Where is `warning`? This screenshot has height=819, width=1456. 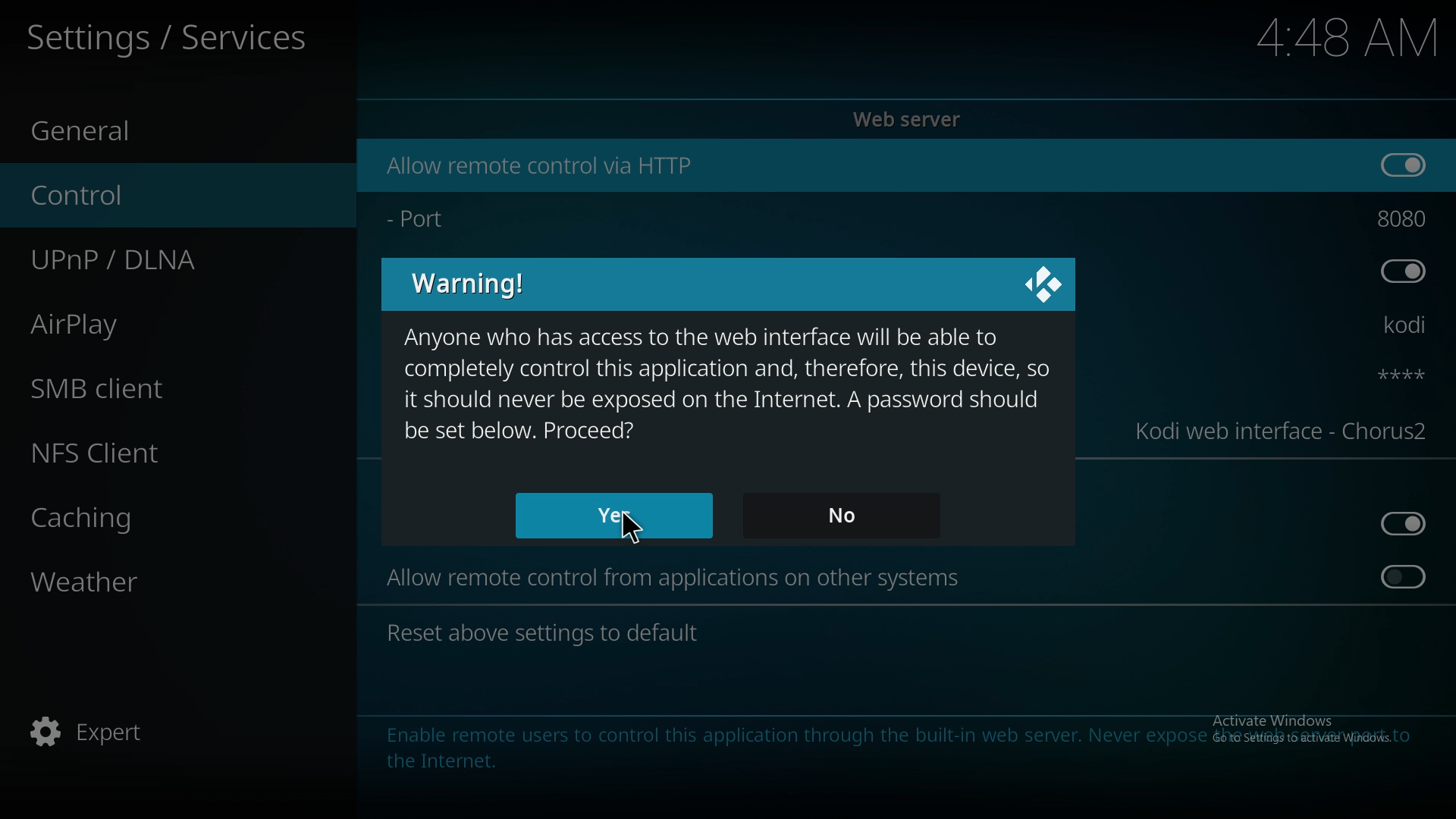 warning is located at coordinates (471, 286).